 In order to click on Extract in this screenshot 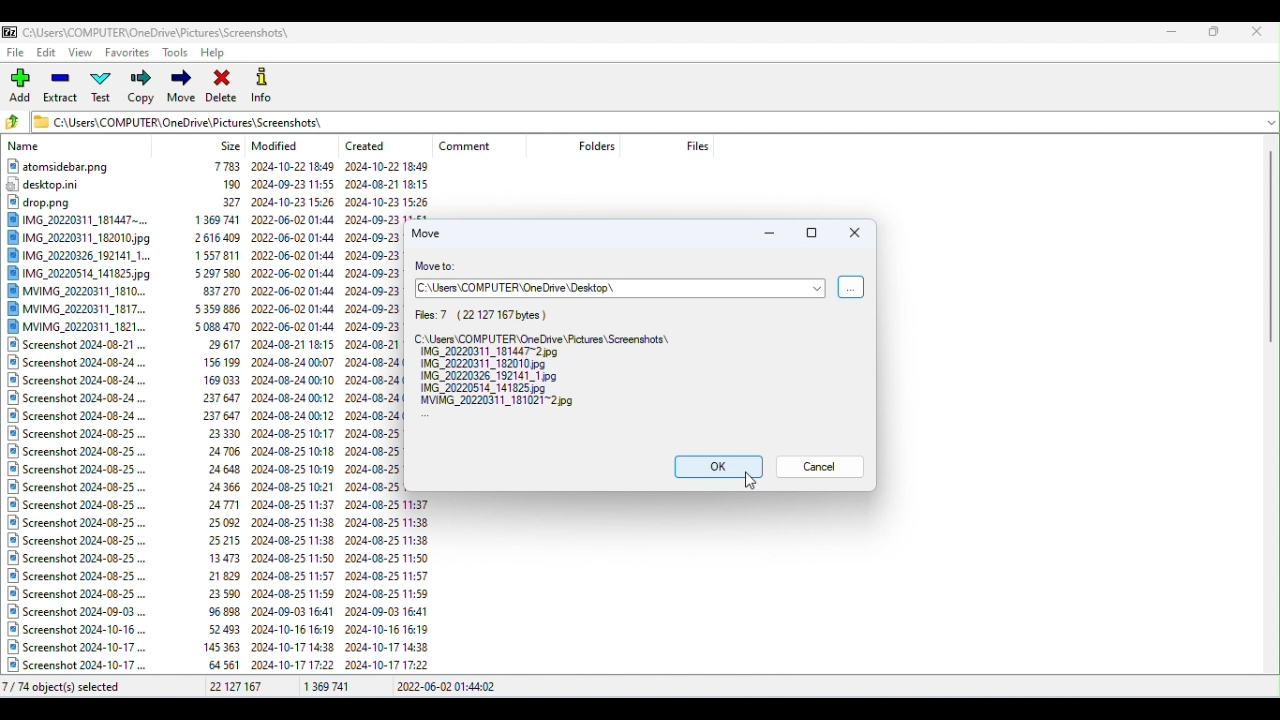, I will do `click(62, 89)`.